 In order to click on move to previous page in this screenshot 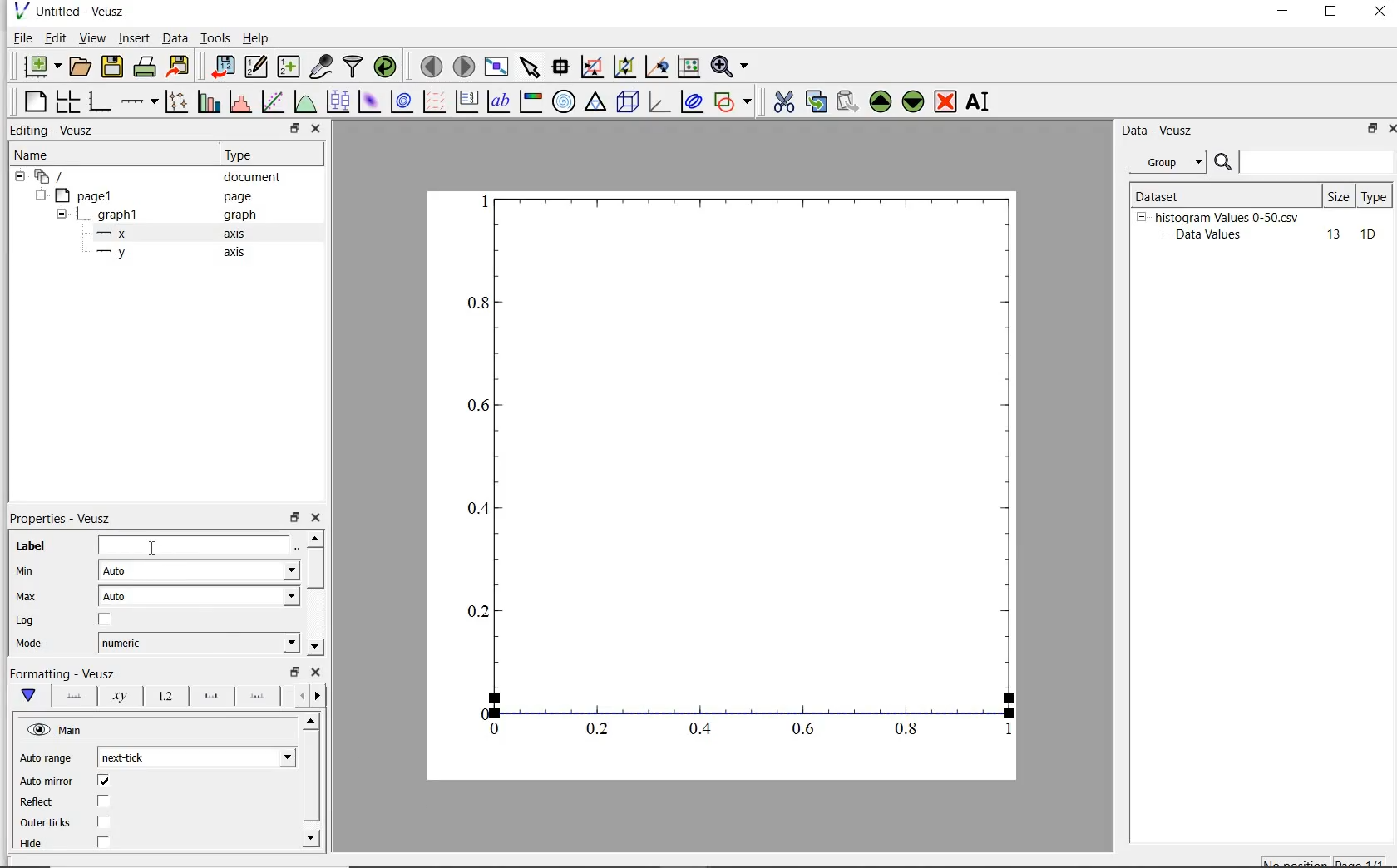, I will do `click(431, 67)`.